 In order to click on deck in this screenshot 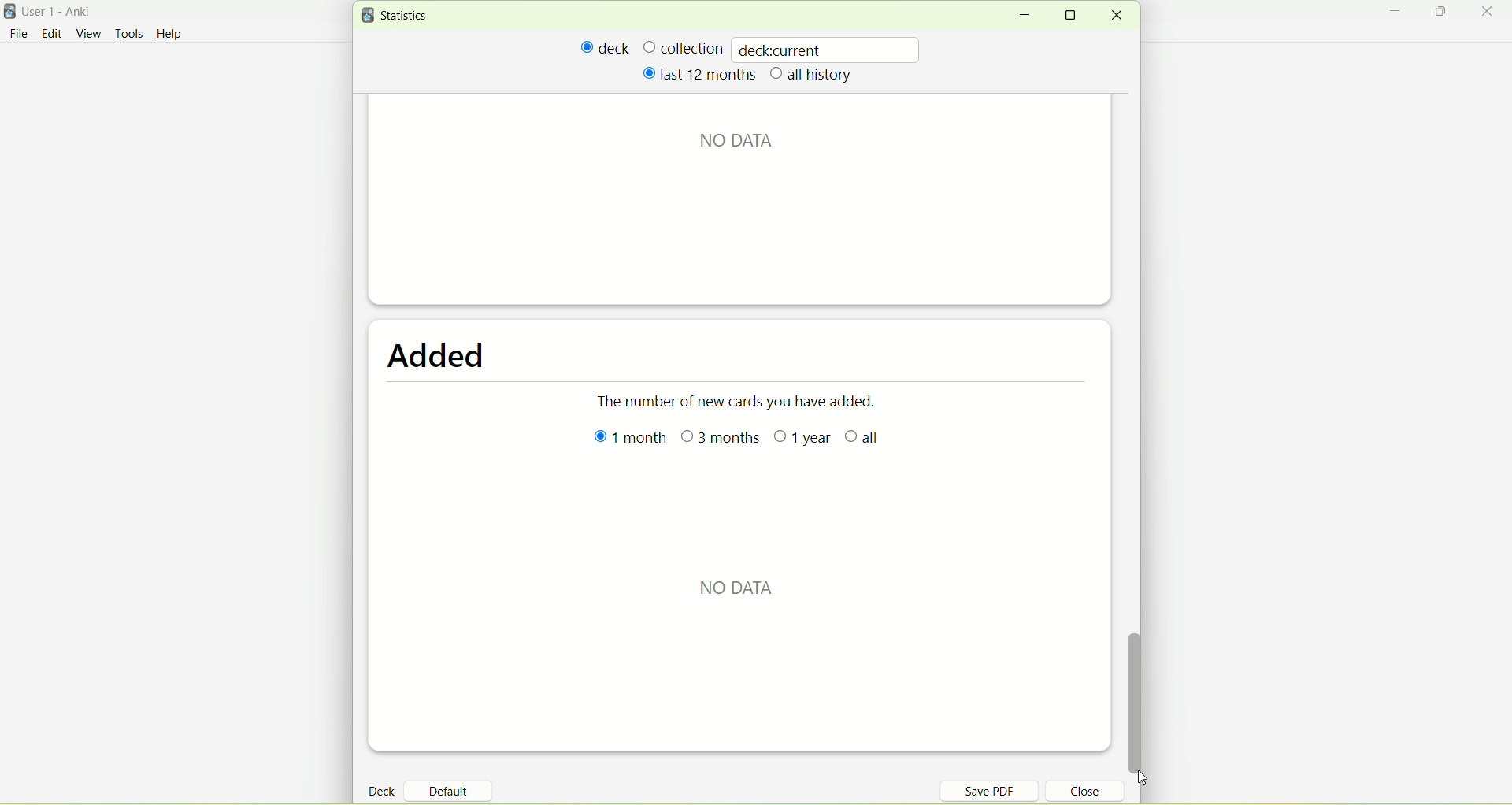, I will do `click(384, 790)`.